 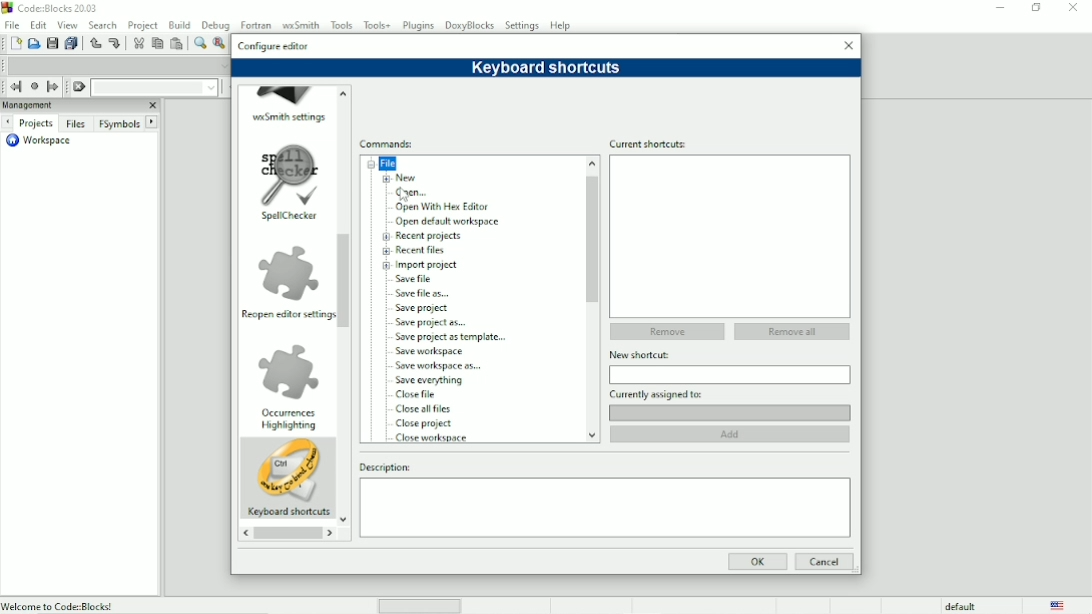 What do you see at coordinates (792, 331) in the screenshot?
I see `Remove all` at bounding box center [792, 331].